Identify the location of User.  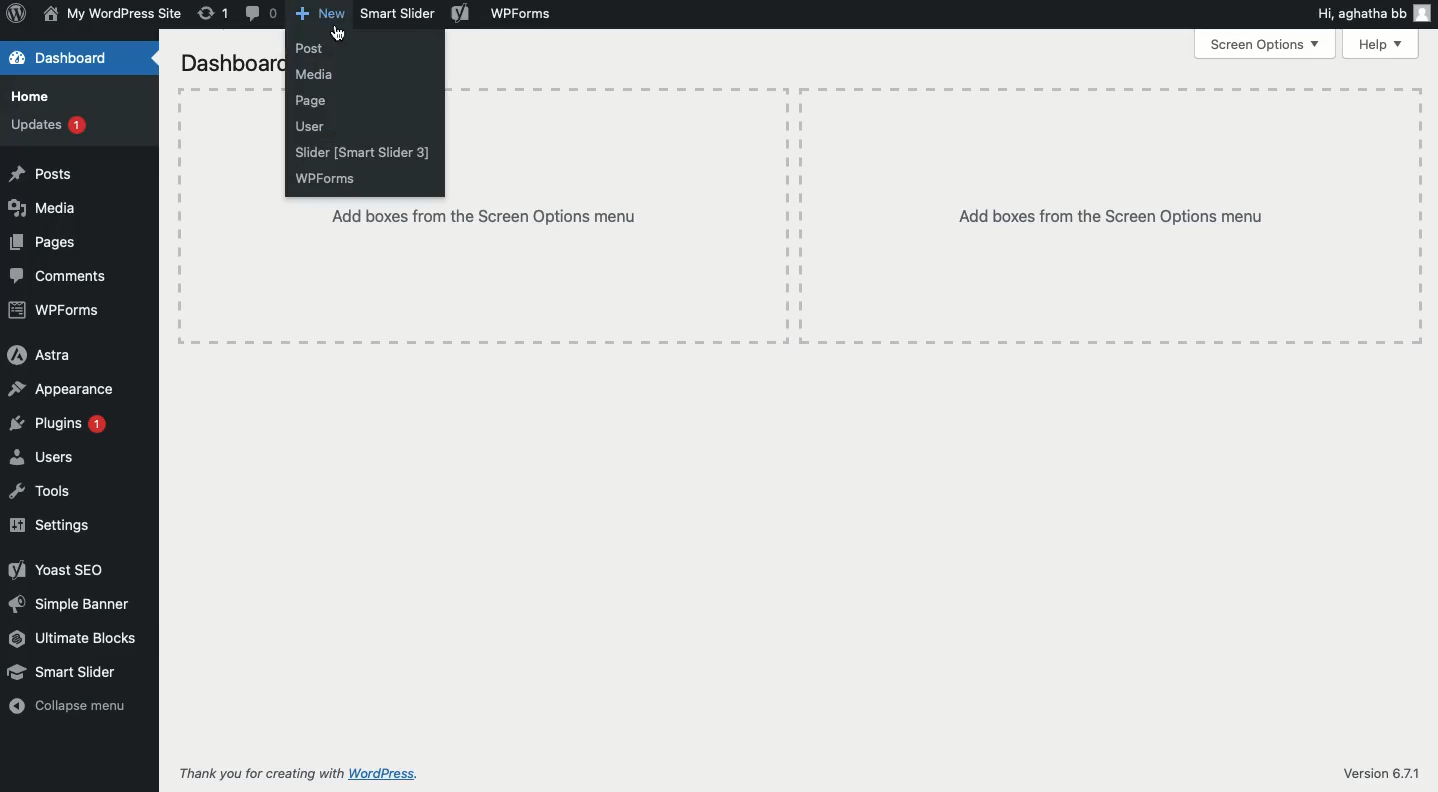
(311, 125).